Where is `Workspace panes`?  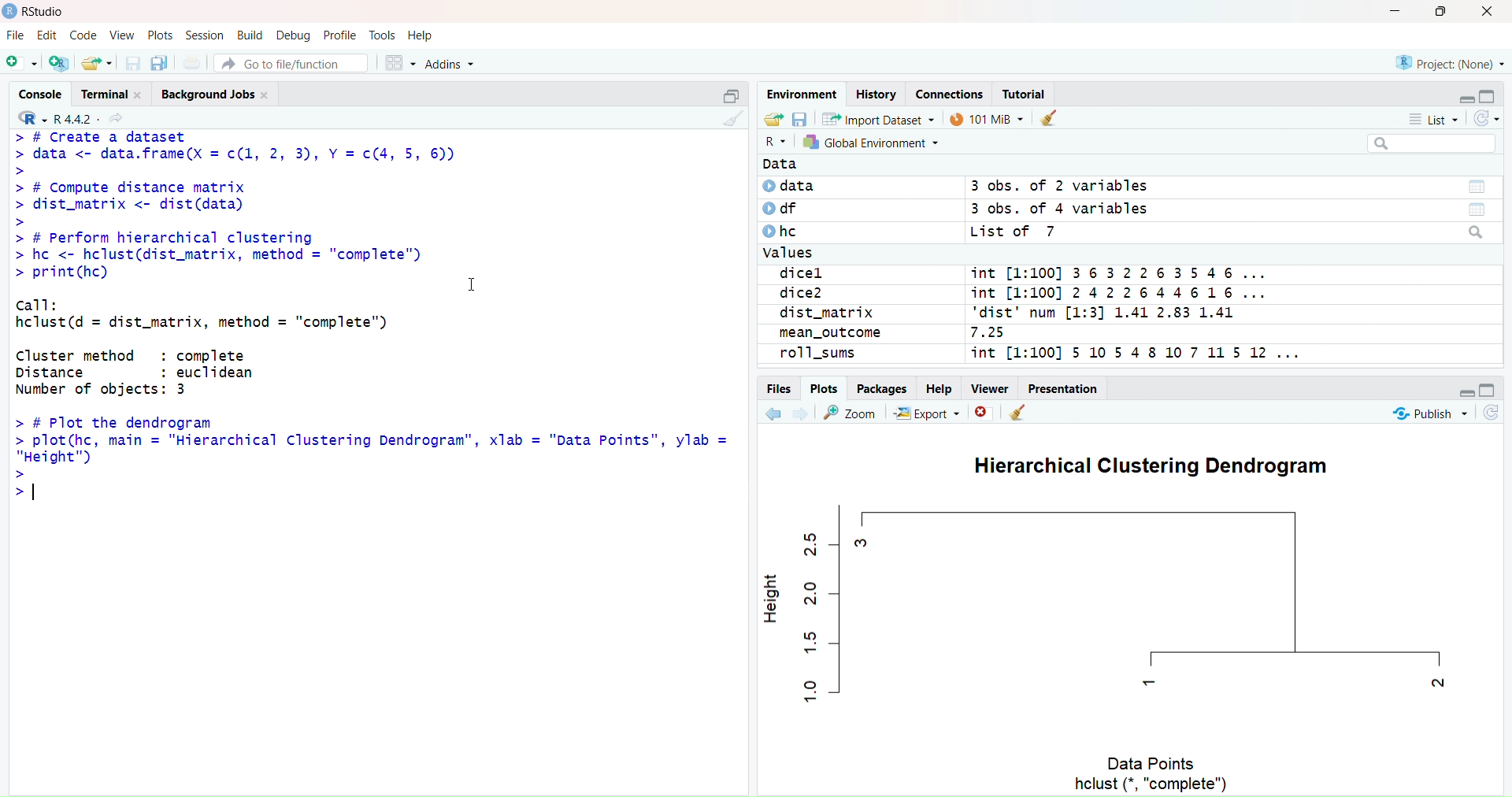
Workspace panes is located at coordinates (401, 61).